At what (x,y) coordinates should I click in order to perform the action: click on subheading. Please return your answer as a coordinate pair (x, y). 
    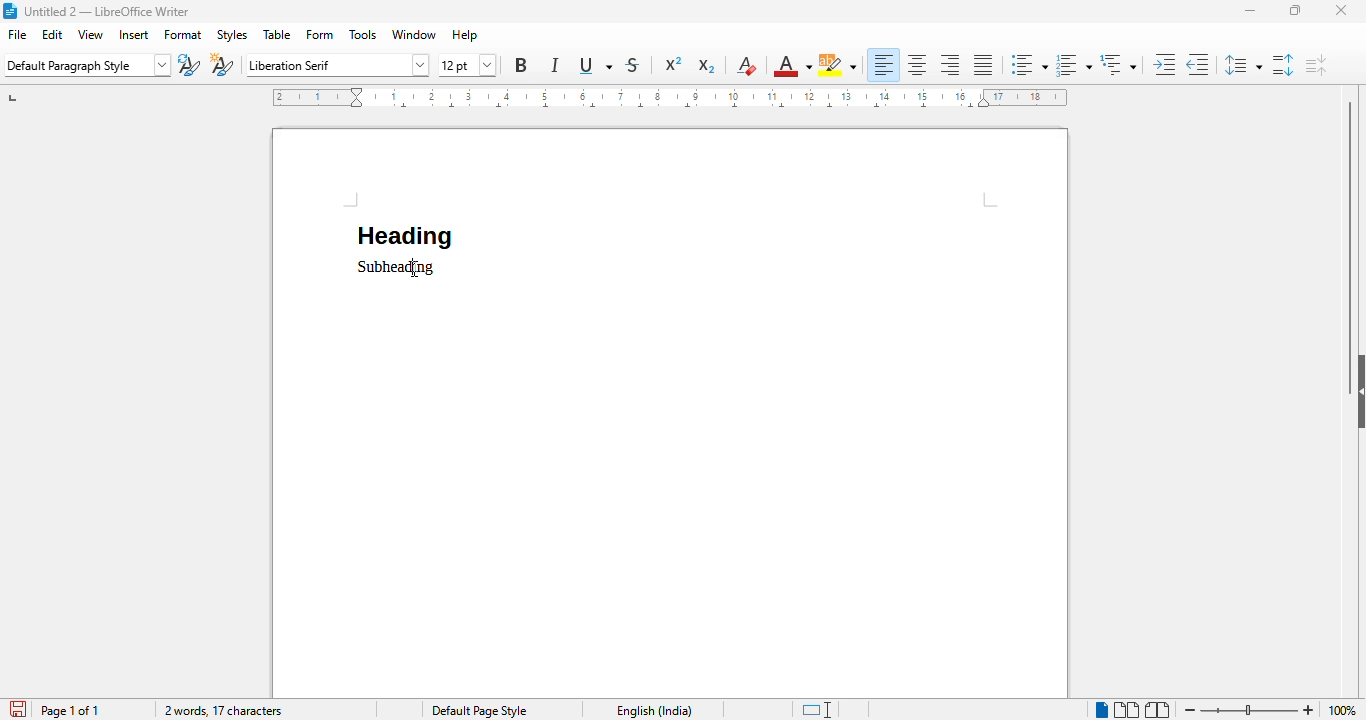
    Looking at the image, I should click on (397, 268).